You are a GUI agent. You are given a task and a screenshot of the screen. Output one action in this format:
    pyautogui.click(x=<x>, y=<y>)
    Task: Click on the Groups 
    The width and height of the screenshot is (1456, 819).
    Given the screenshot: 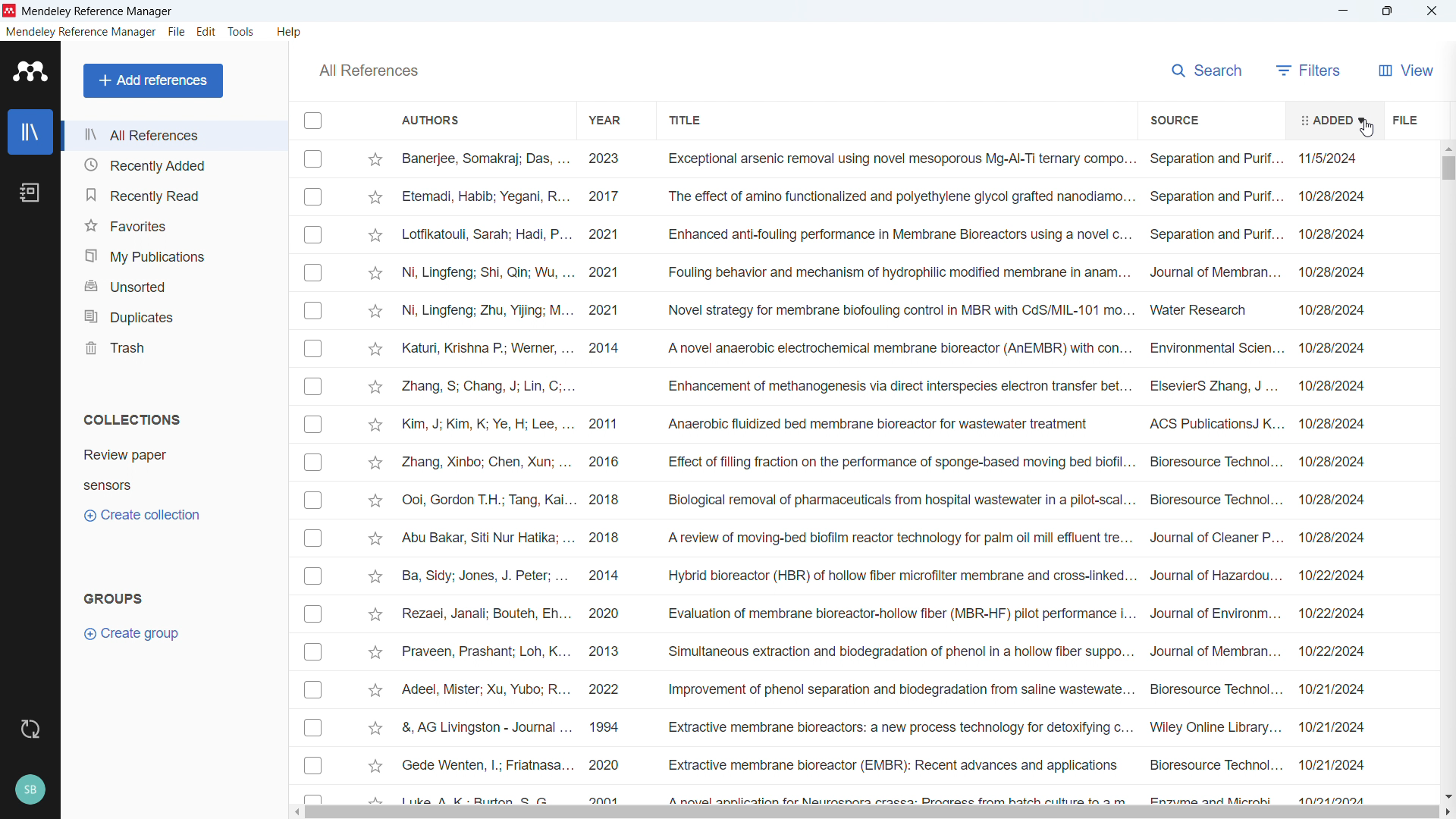 What is the action you would take?
    pyautogui.click(x=111, y=598)
    